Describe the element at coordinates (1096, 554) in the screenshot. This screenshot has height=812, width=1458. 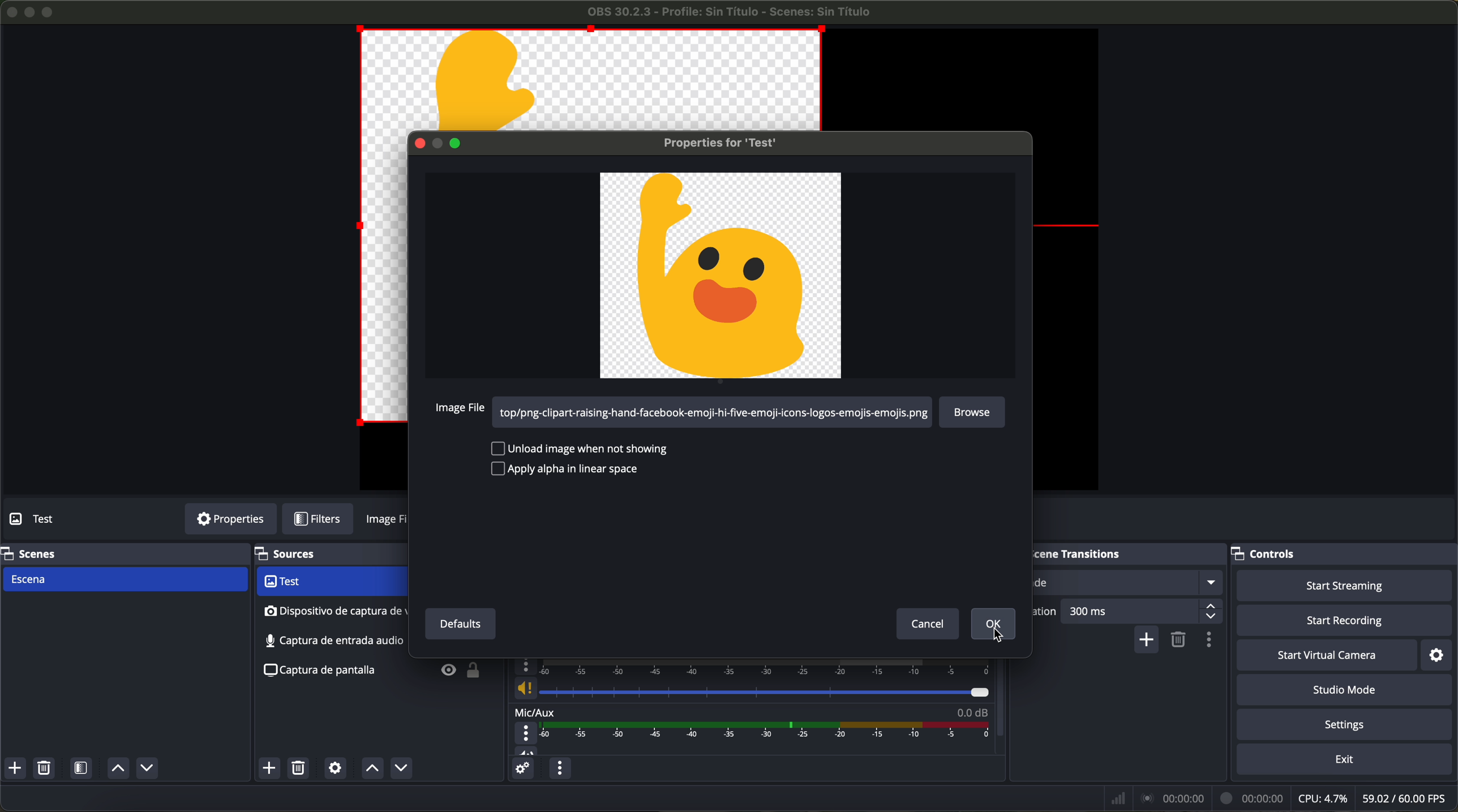
I see `scene transitions` at that location.